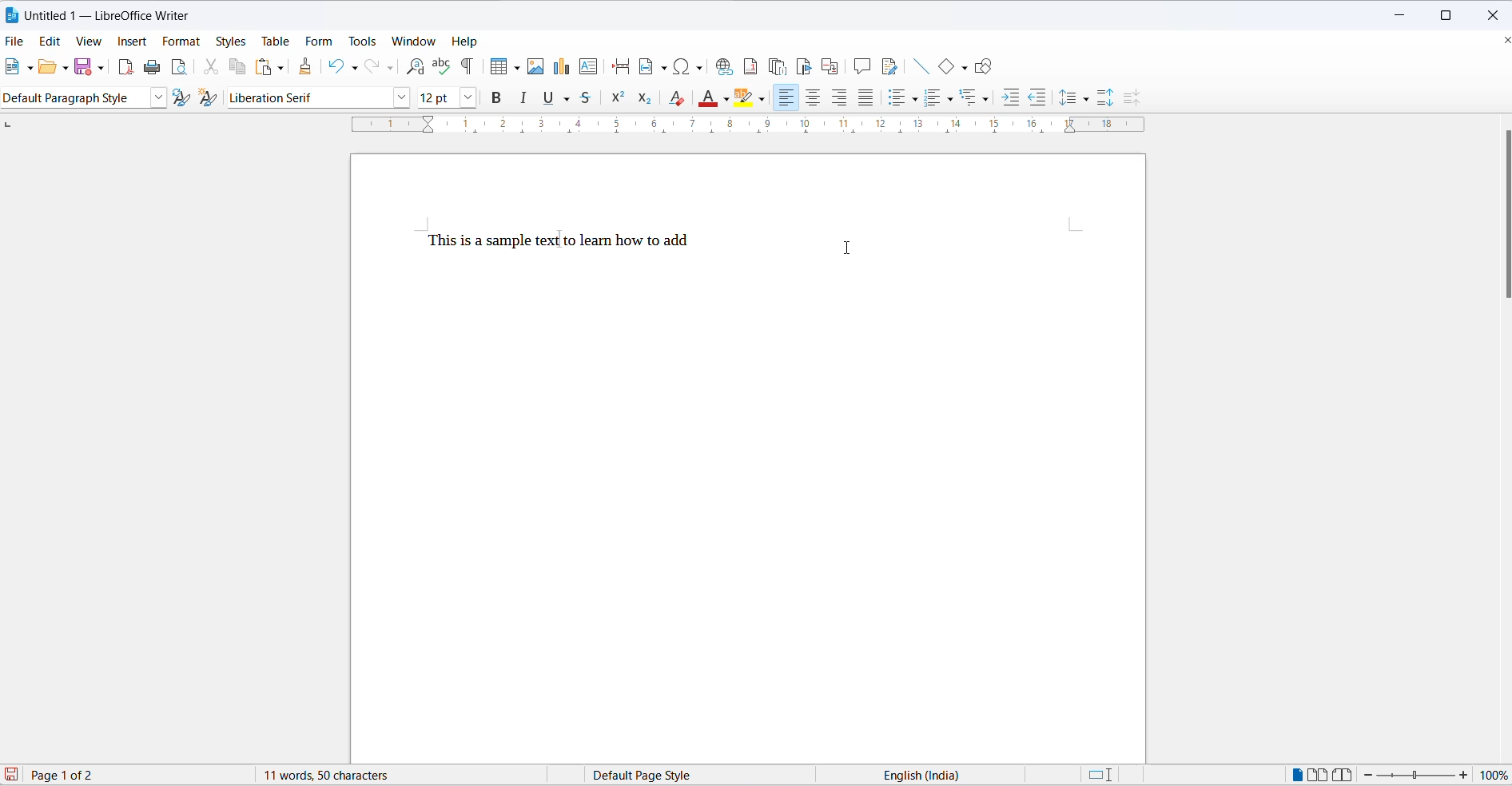  Describe the element at coordinates (373, 67) in the screenshot. I see `redo` at that location.